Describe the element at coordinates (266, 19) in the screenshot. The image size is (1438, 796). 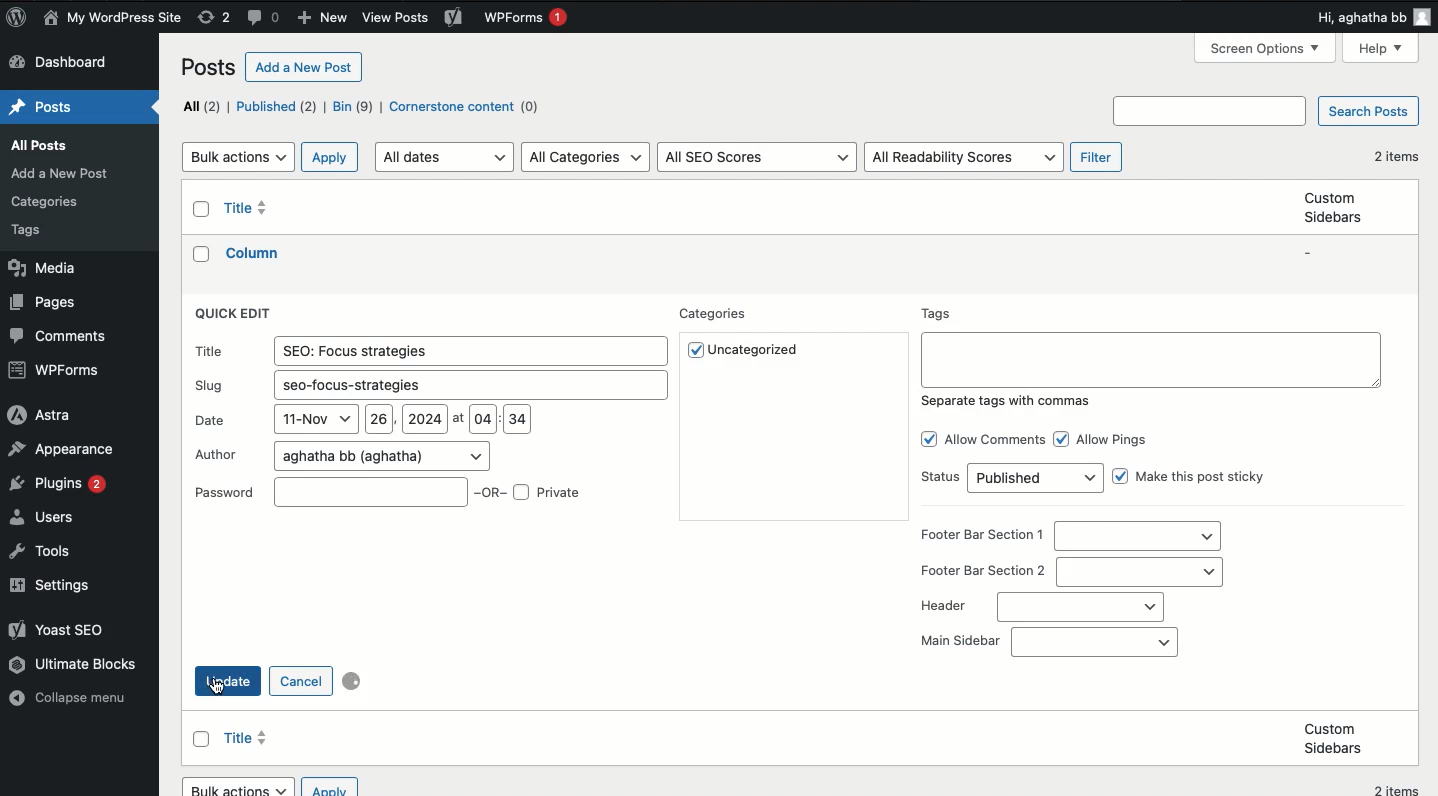
I see `Comments` at that location.